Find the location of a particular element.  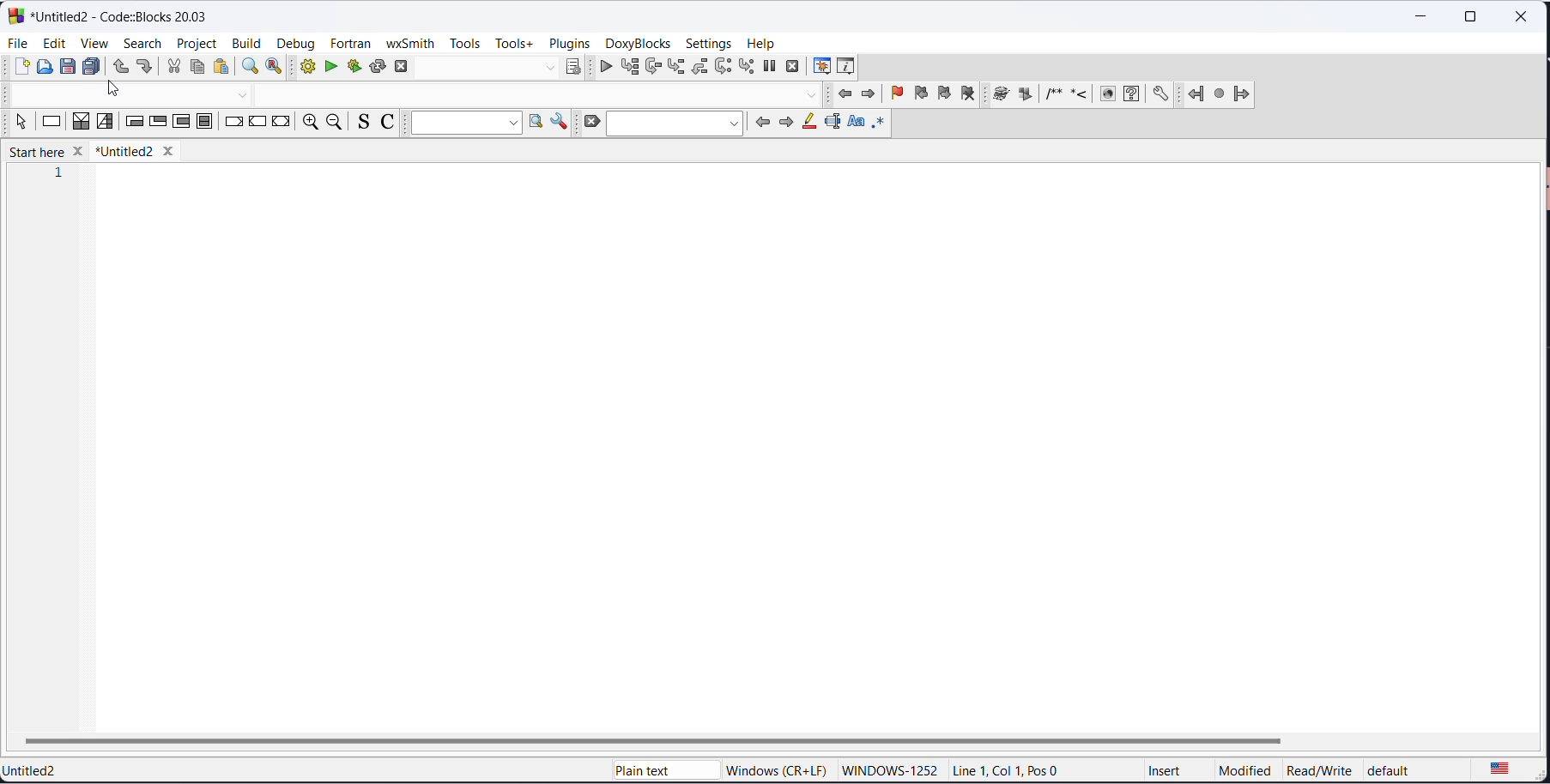

decision is located at coordinates (80, 120).